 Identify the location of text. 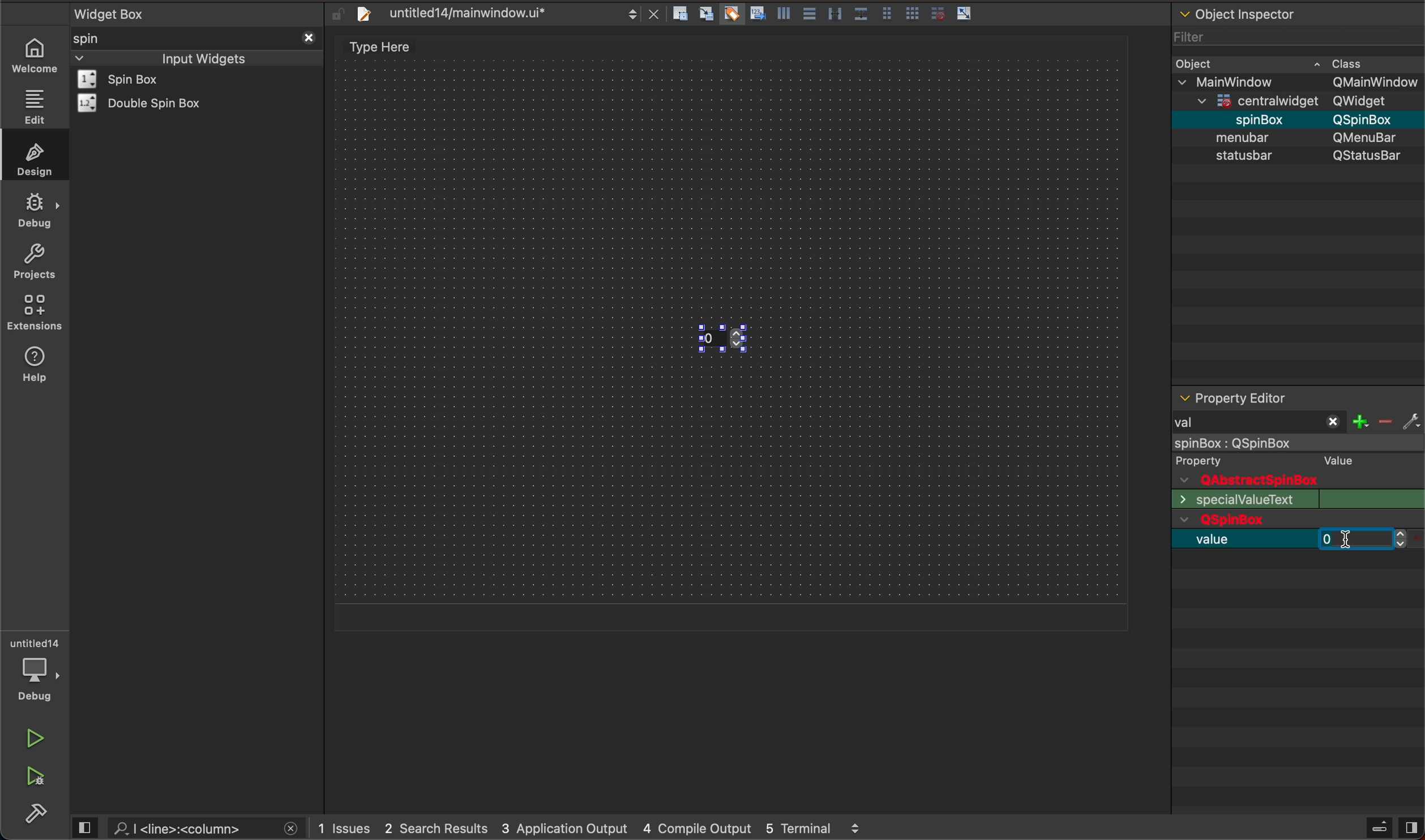
(1373, 499).